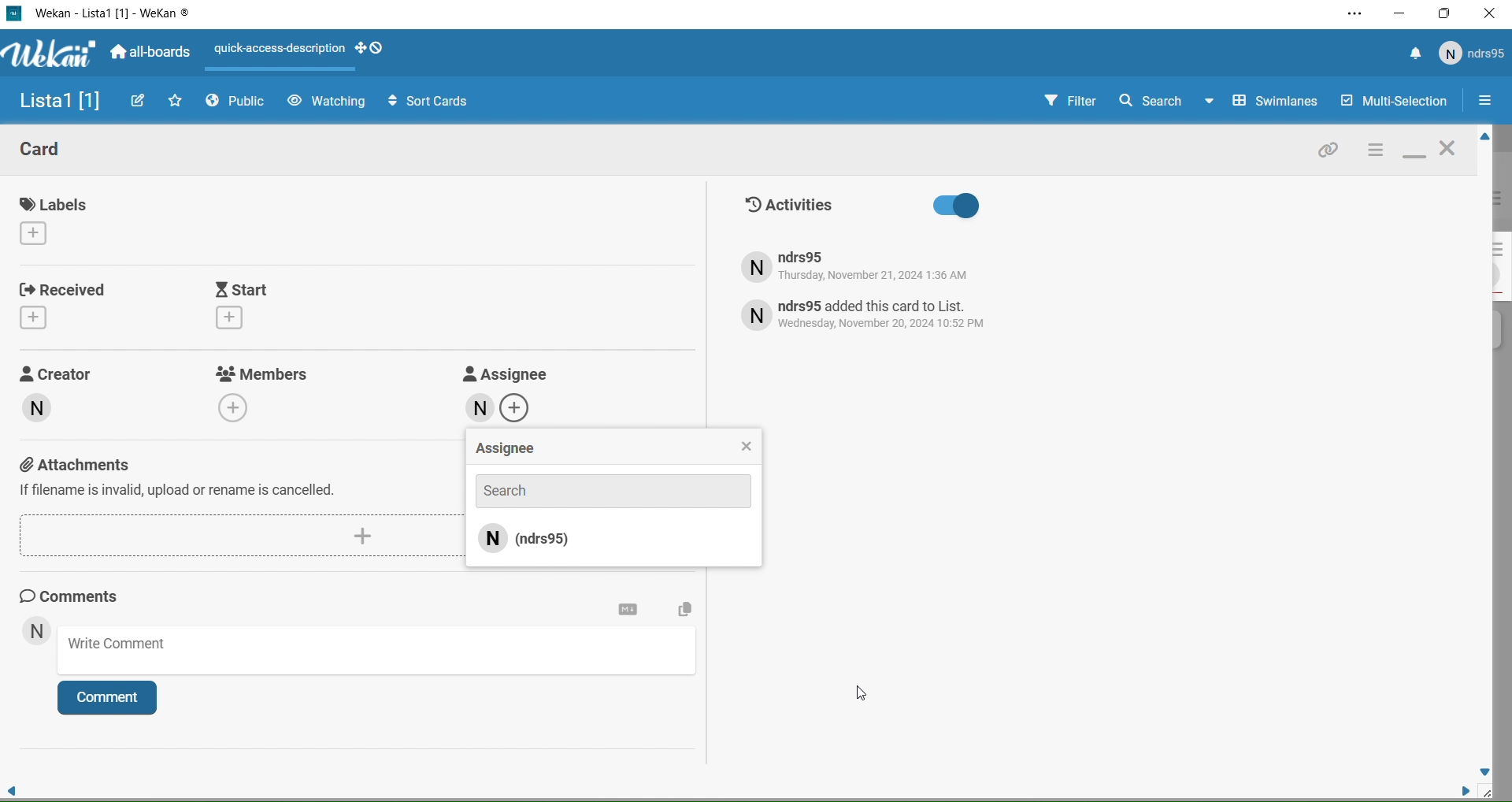  Describe the element at coordinates (421, 100) in the screenshot. I see `Sort Cards` at that location.